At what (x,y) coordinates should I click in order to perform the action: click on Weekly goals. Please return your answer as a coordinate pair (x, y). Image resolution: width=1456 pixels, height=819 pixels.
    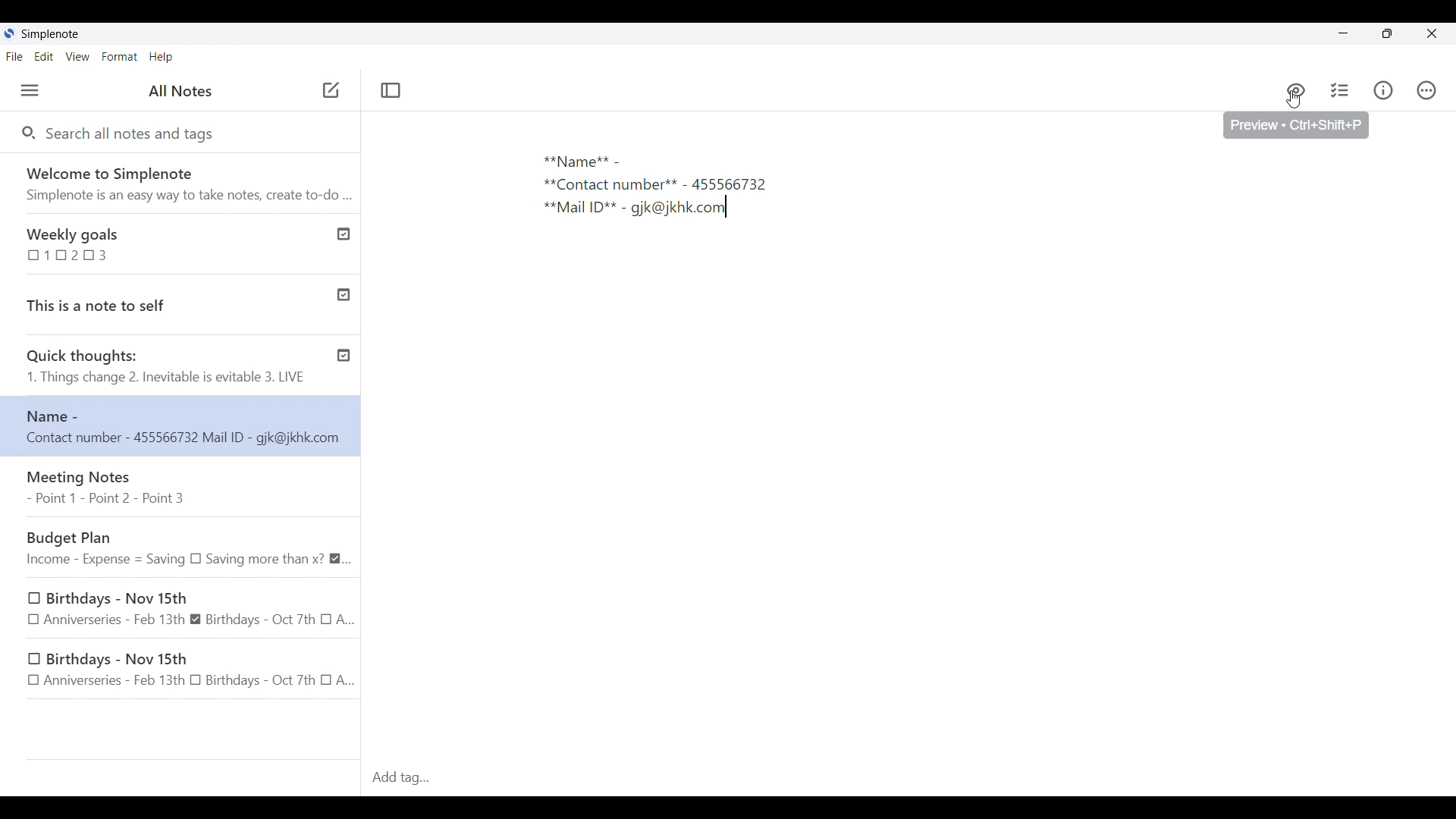
    Looking at the image, I should click on (162, 243).